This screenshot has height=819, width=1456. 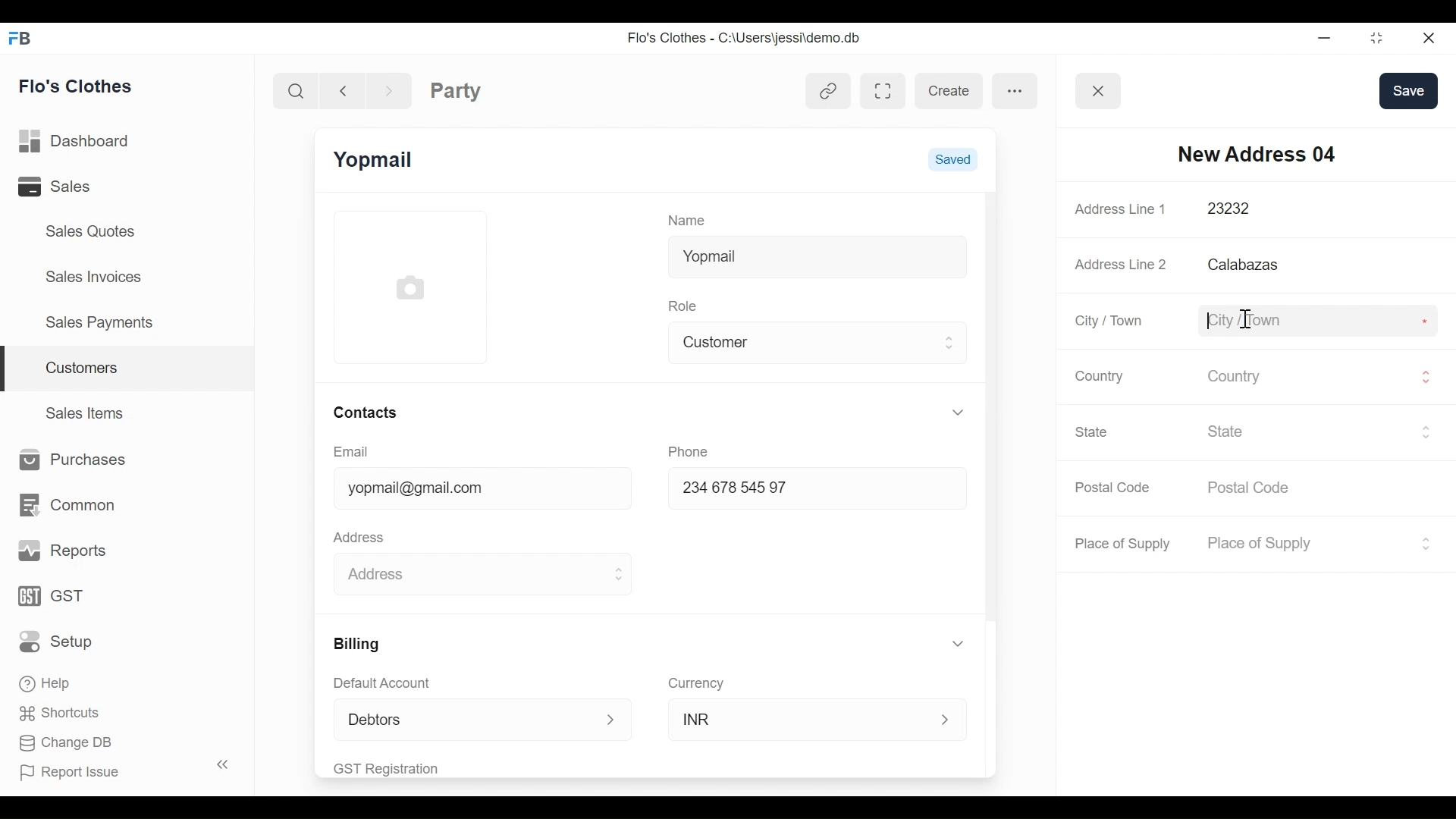 I want to click on Postal Code, so click(x=1115, y=488).